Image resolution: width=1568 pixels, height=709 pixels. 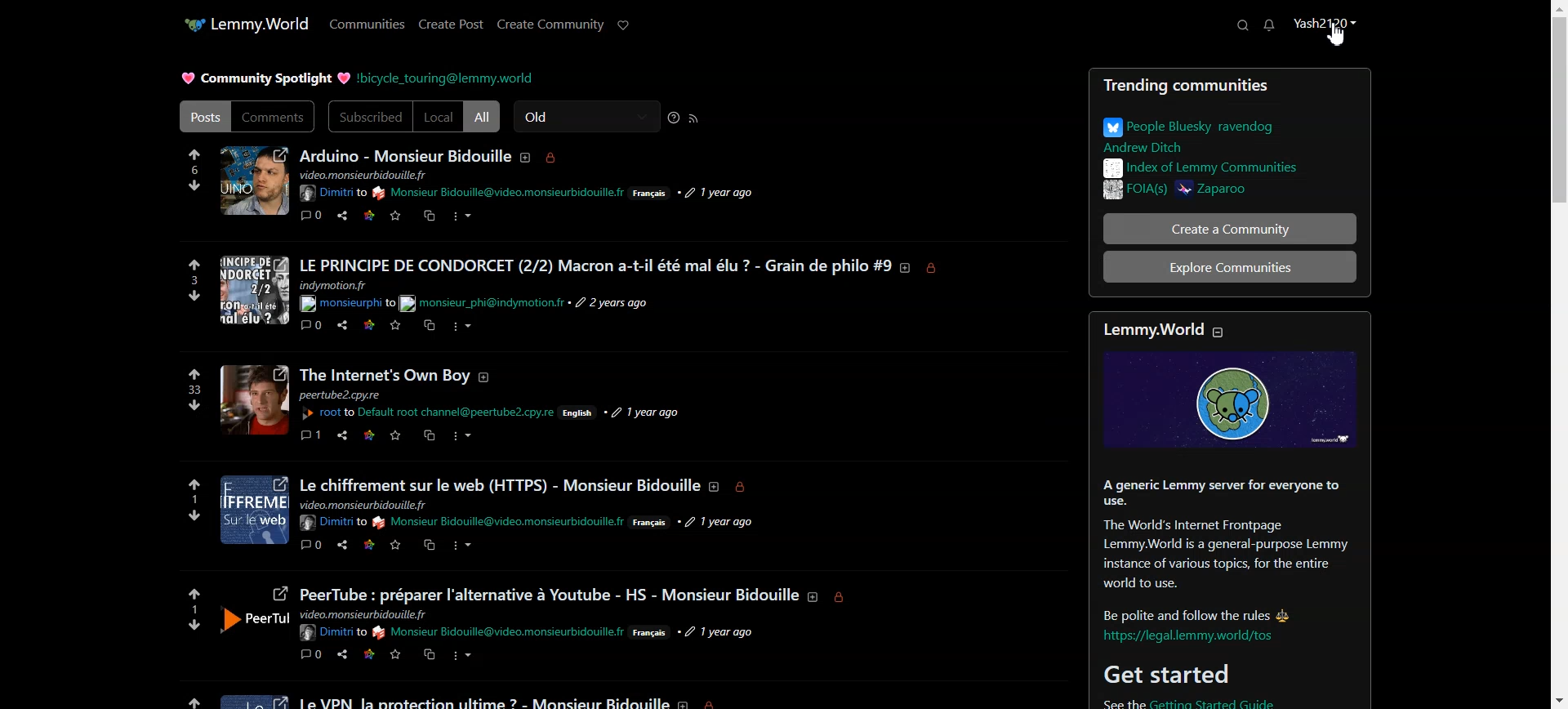 I want to click on text, so click(x=363, y=504).